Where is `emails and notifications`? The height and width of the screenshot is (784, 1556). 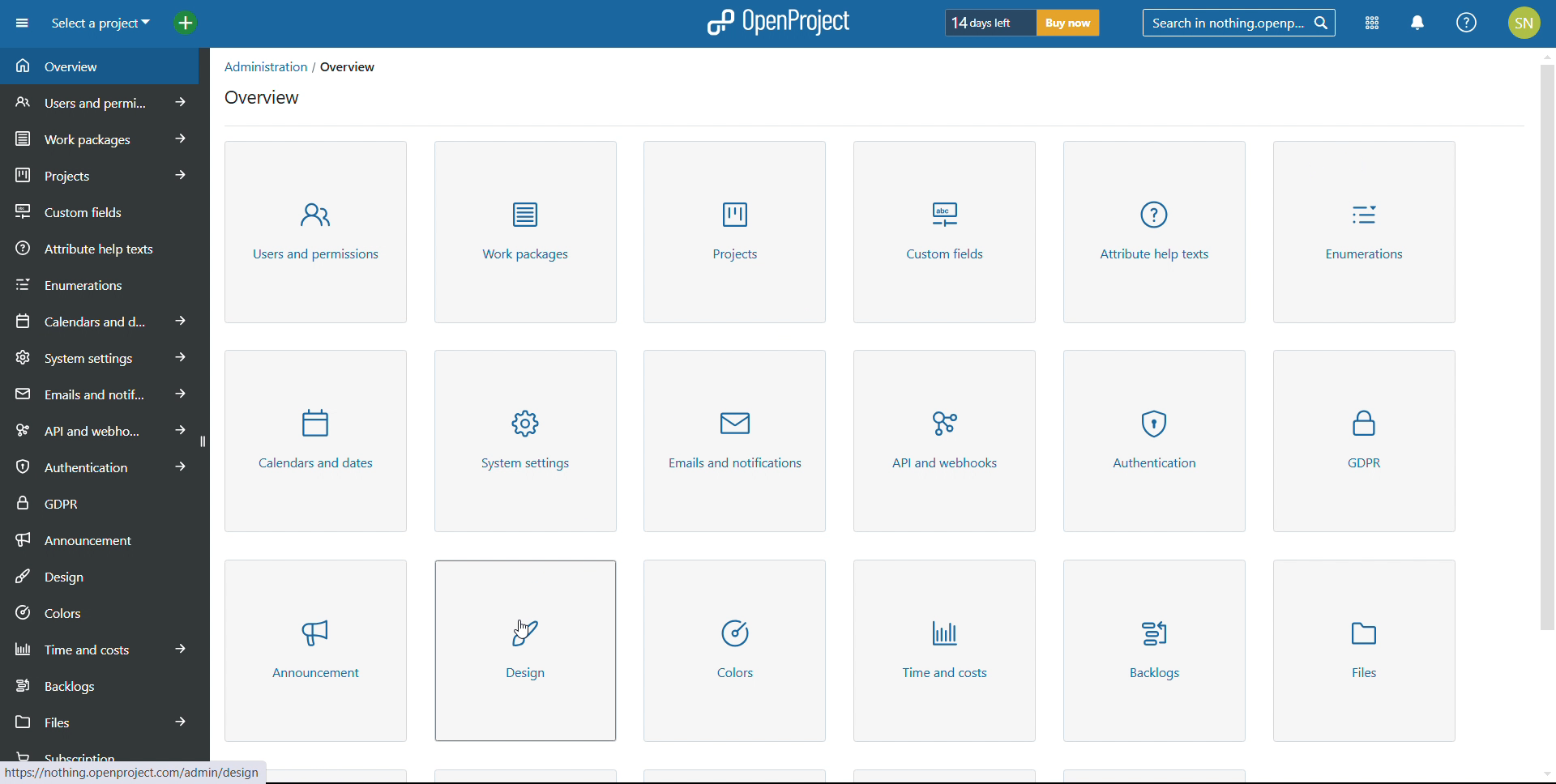 emails and notifications is located at coordinates (734, 441).